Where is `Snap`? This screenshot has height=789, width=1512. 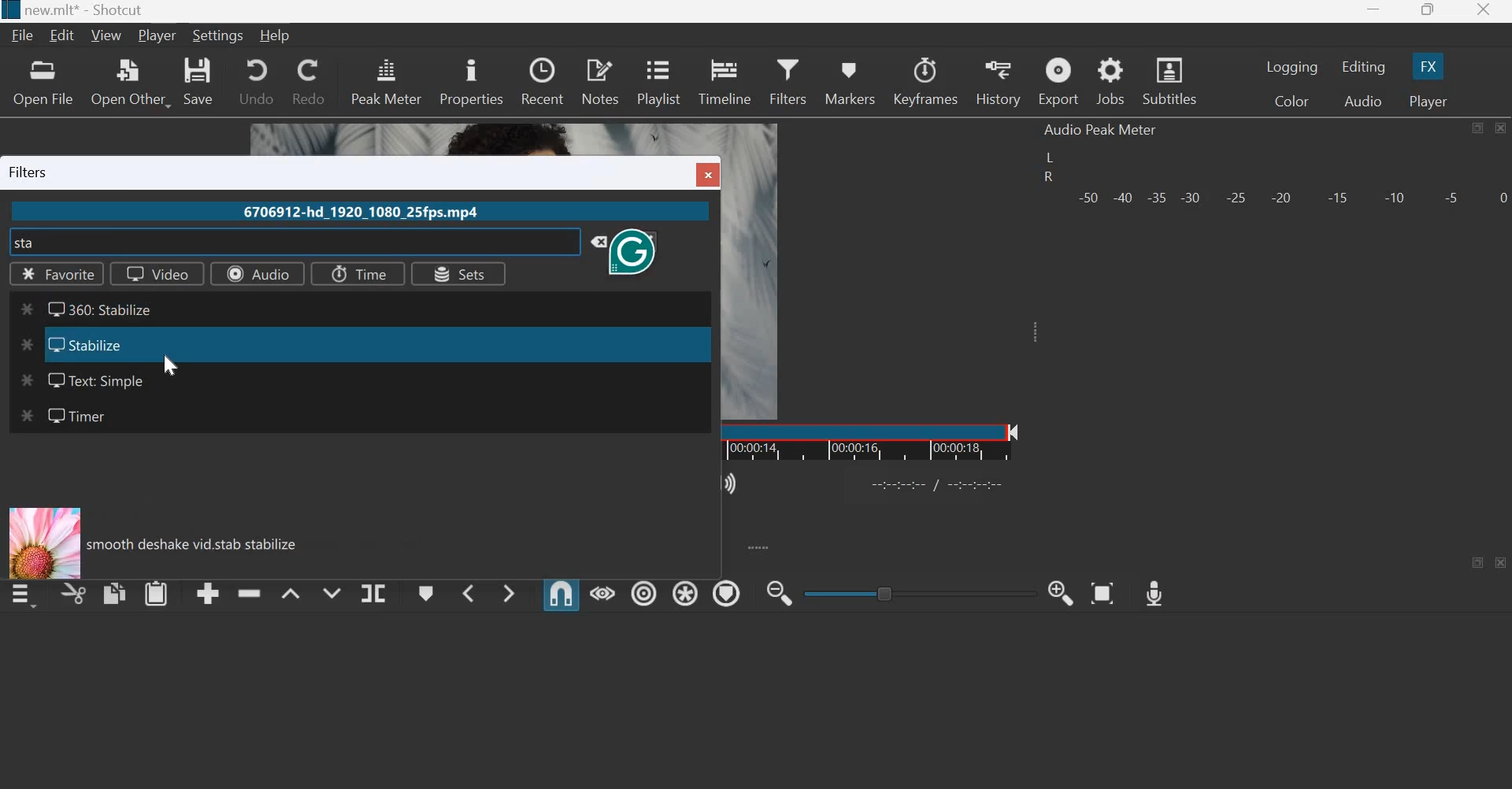
Snap is located at coordinates (561, 594).